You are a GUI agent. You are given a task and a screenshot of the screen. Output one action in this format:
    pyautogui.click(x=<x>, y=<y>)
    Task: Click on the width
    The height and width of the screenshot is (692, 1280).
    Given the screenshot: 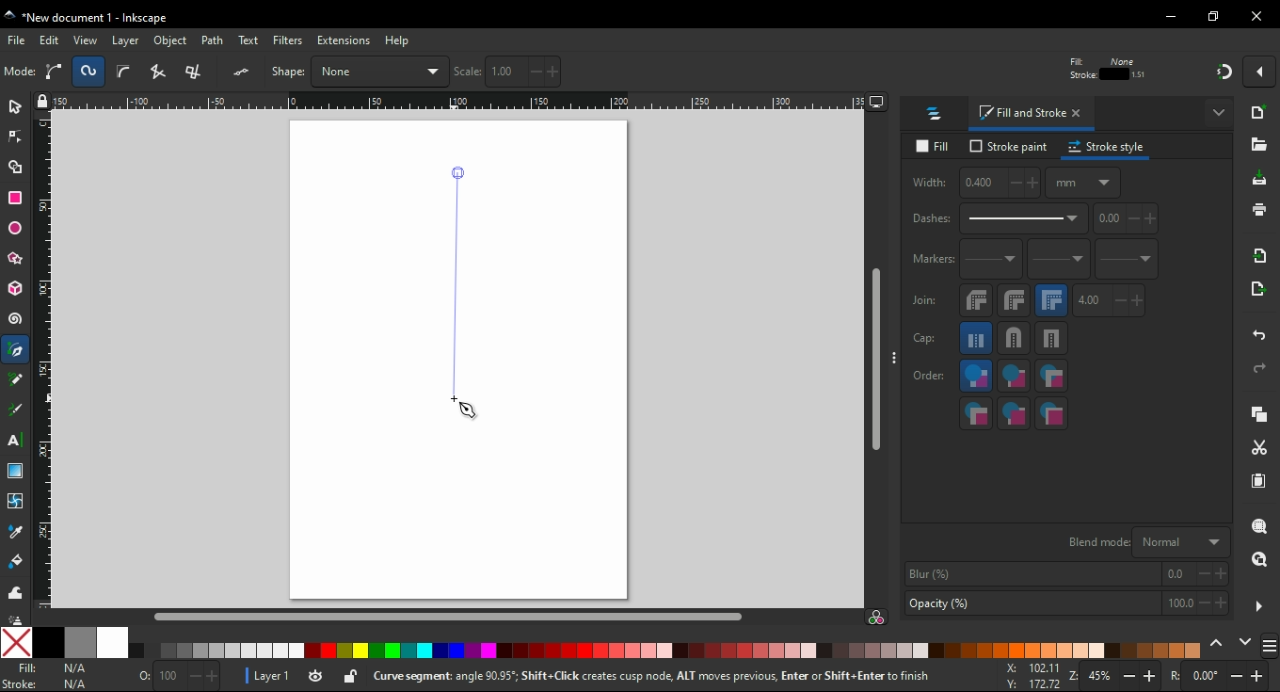 What is the action you would take?
    pyautogui.click(x=765, y=71)
    